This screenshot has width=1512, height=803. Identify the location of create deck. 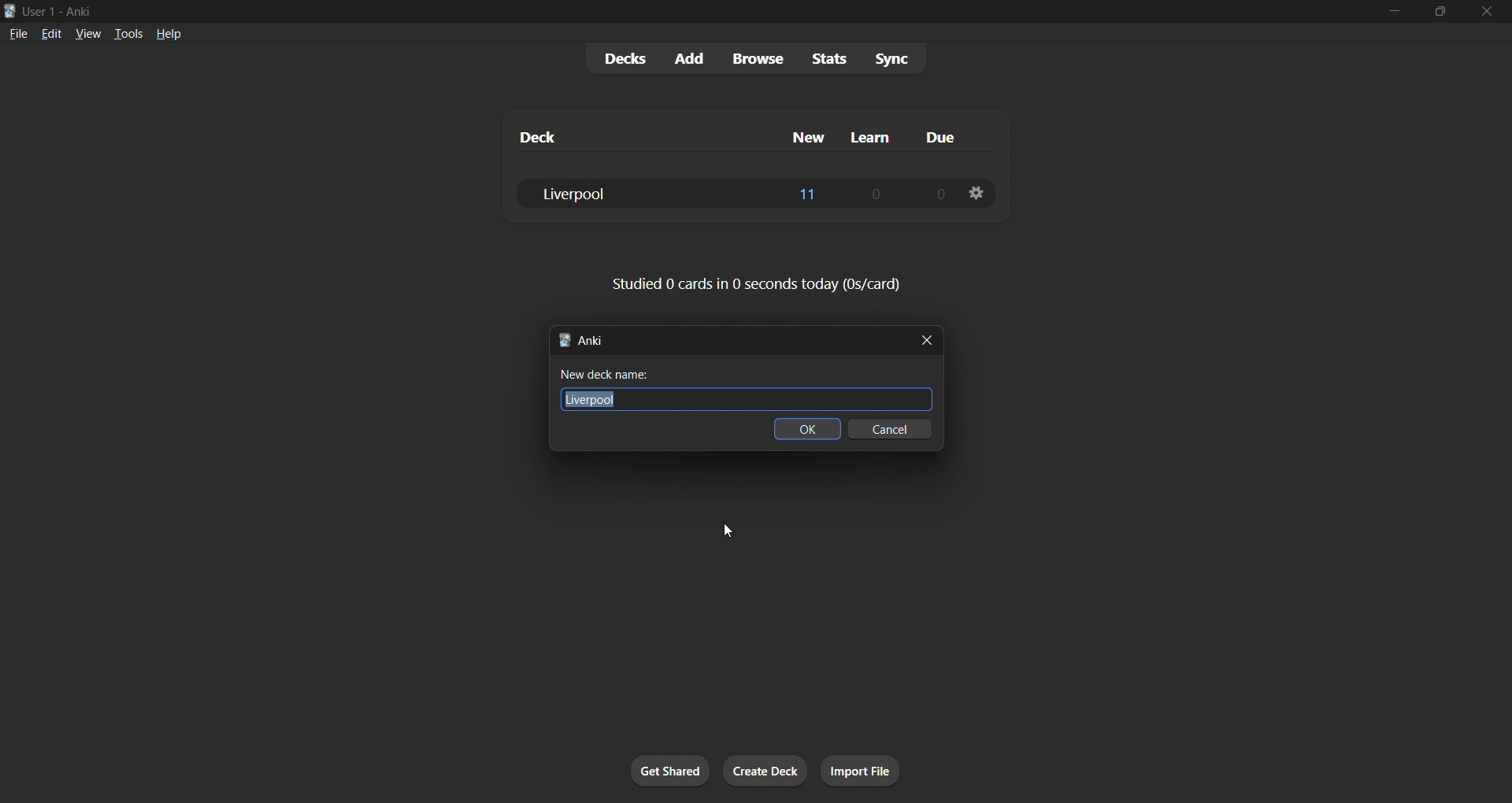
(769, 772).